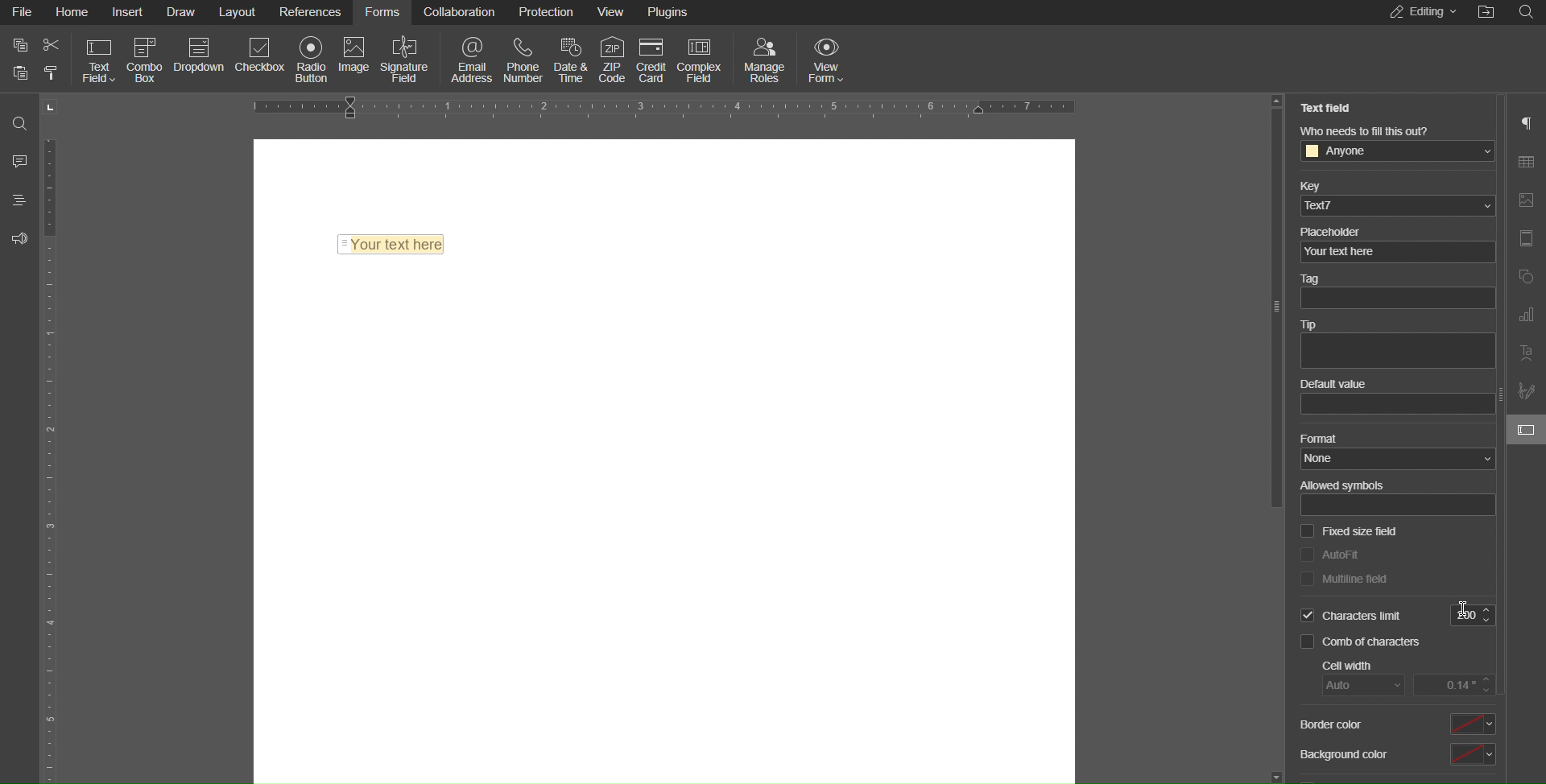 The image size is (1546, 784). I want to click on Search, so click(18, 118).